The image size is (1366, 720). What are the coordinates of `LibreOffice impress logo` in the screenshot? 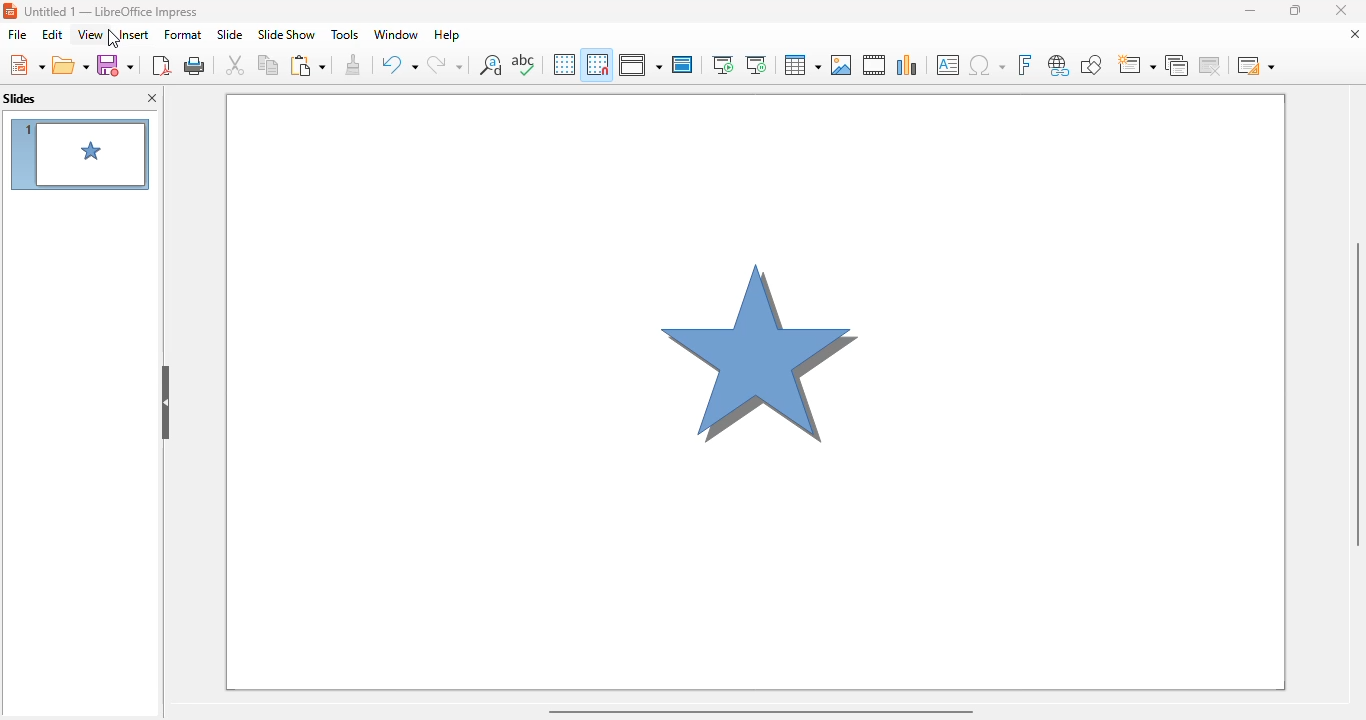 It's located at (9, 11).